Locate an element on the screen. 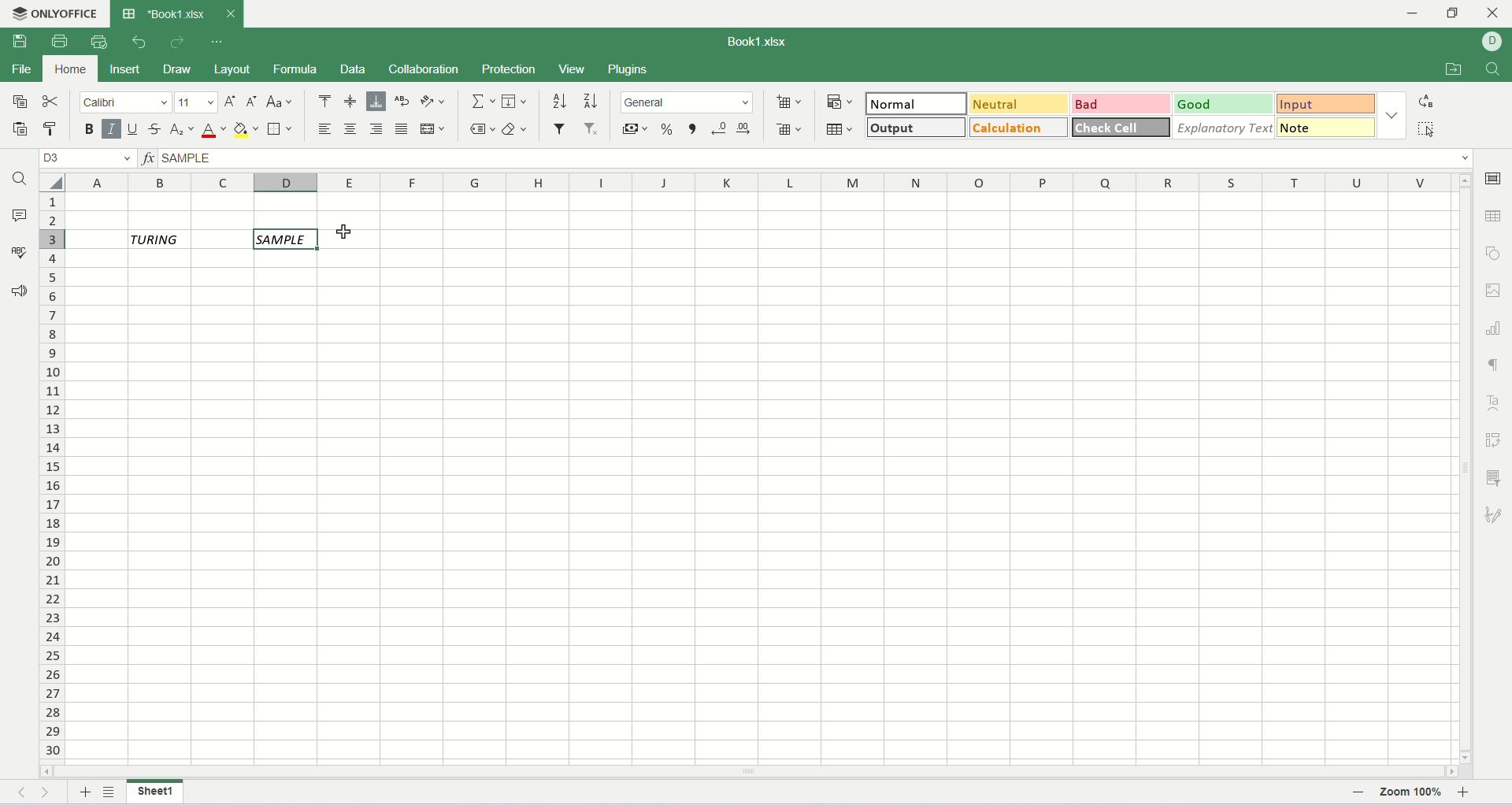  data is located at coordinates (359, 72).